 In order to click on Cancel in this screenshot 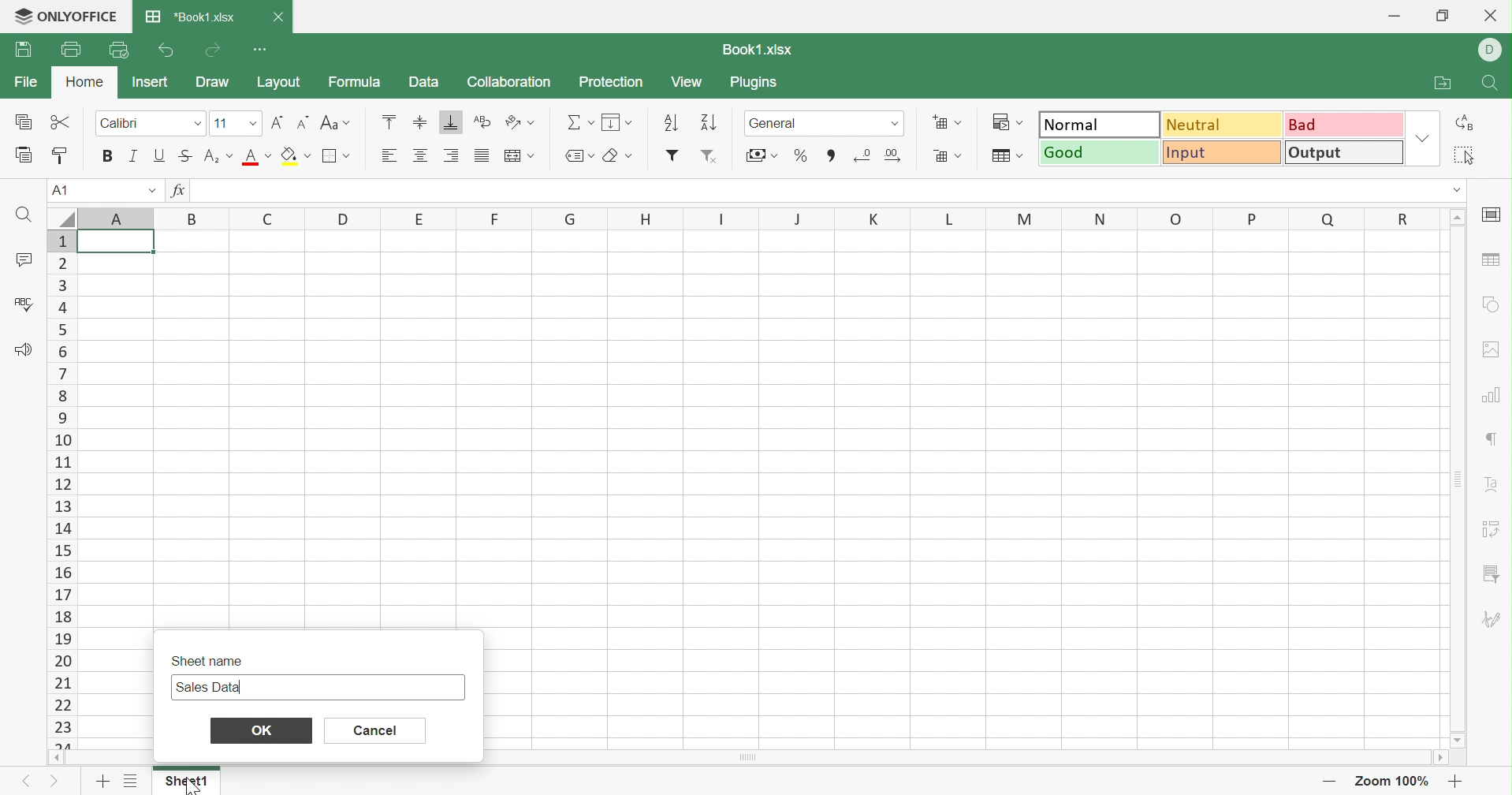, I will do `click(371, 729)`.